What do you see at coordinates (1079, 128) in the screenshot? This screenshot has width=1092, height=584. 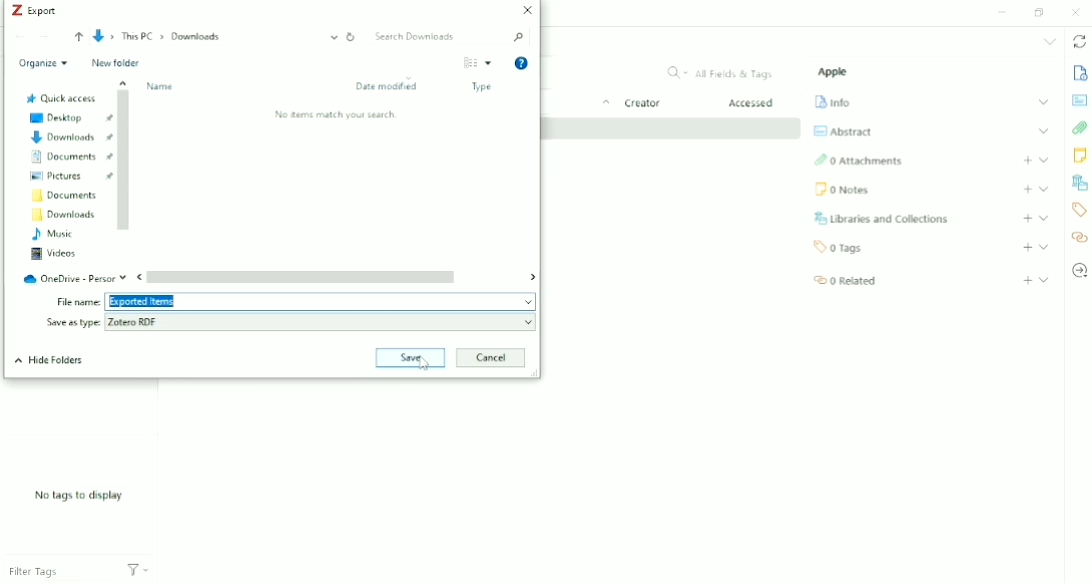 I see `Attachments` at bounding box center [1079, 128].